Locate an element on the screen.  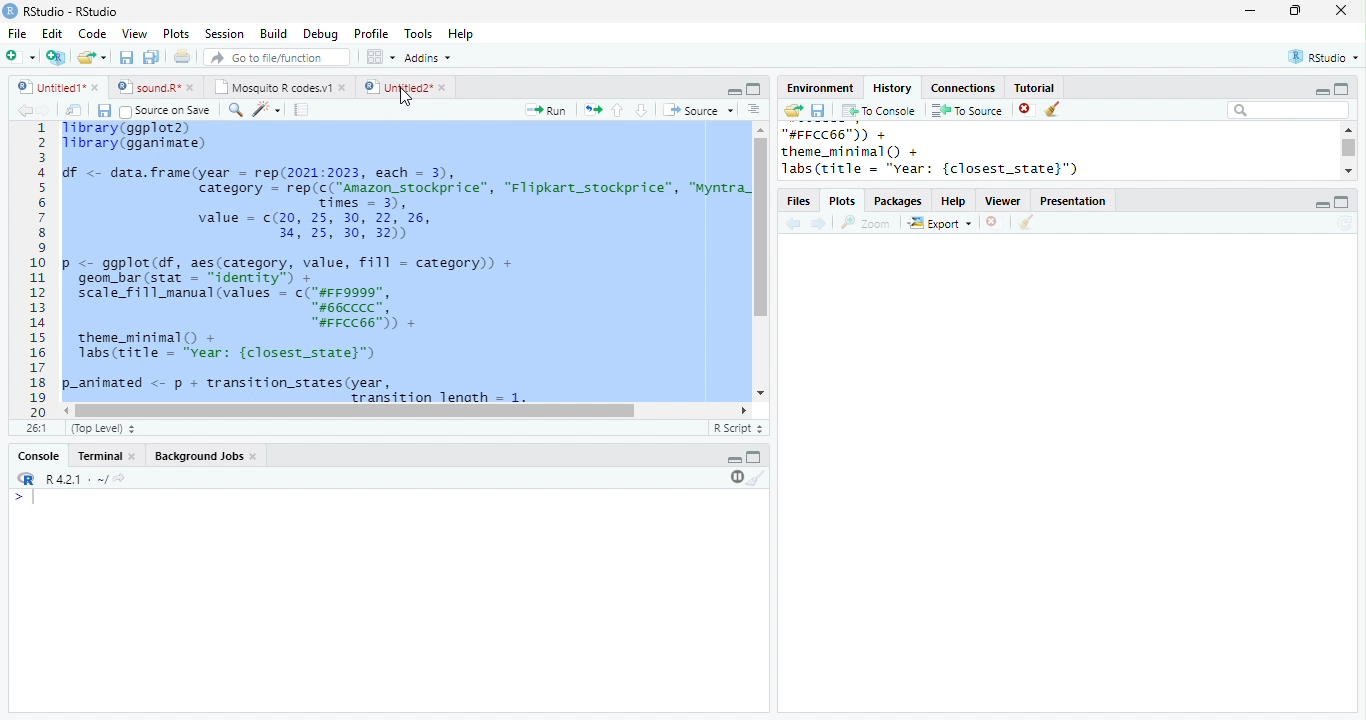
Terminal is located at coordinates (98, 456).